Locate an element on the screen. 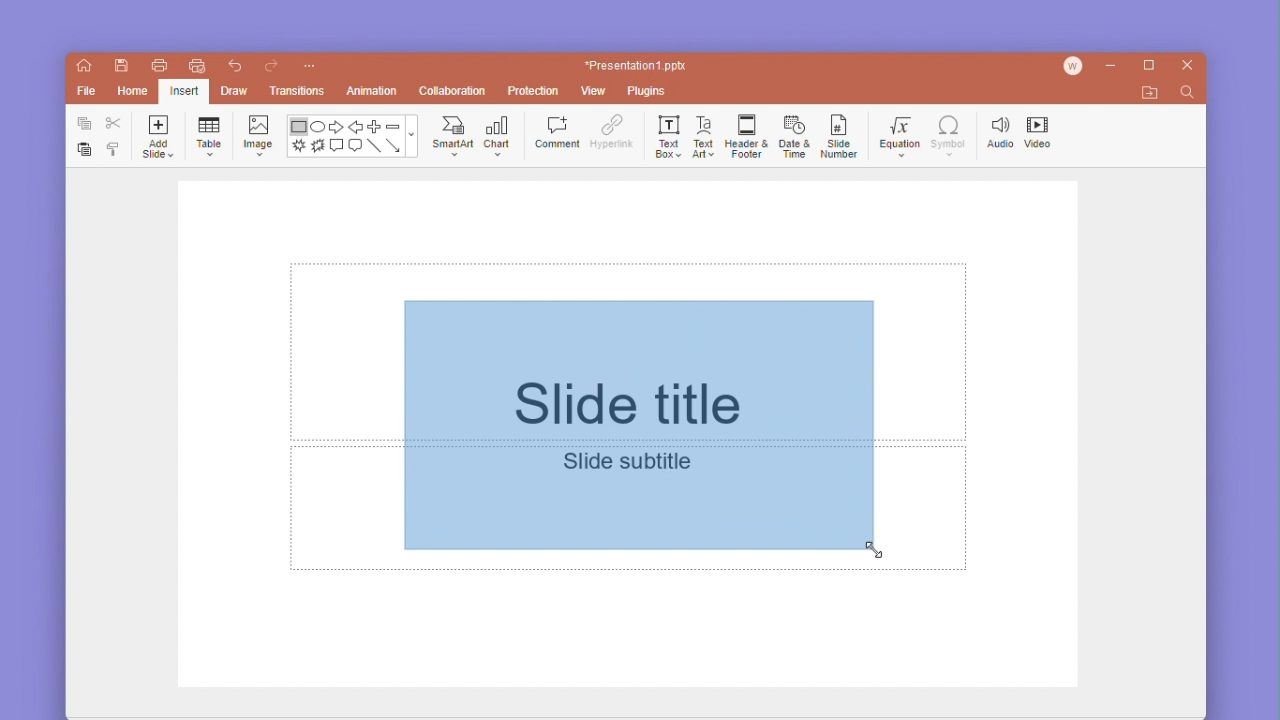  close is located at coordinates (1188, 66).